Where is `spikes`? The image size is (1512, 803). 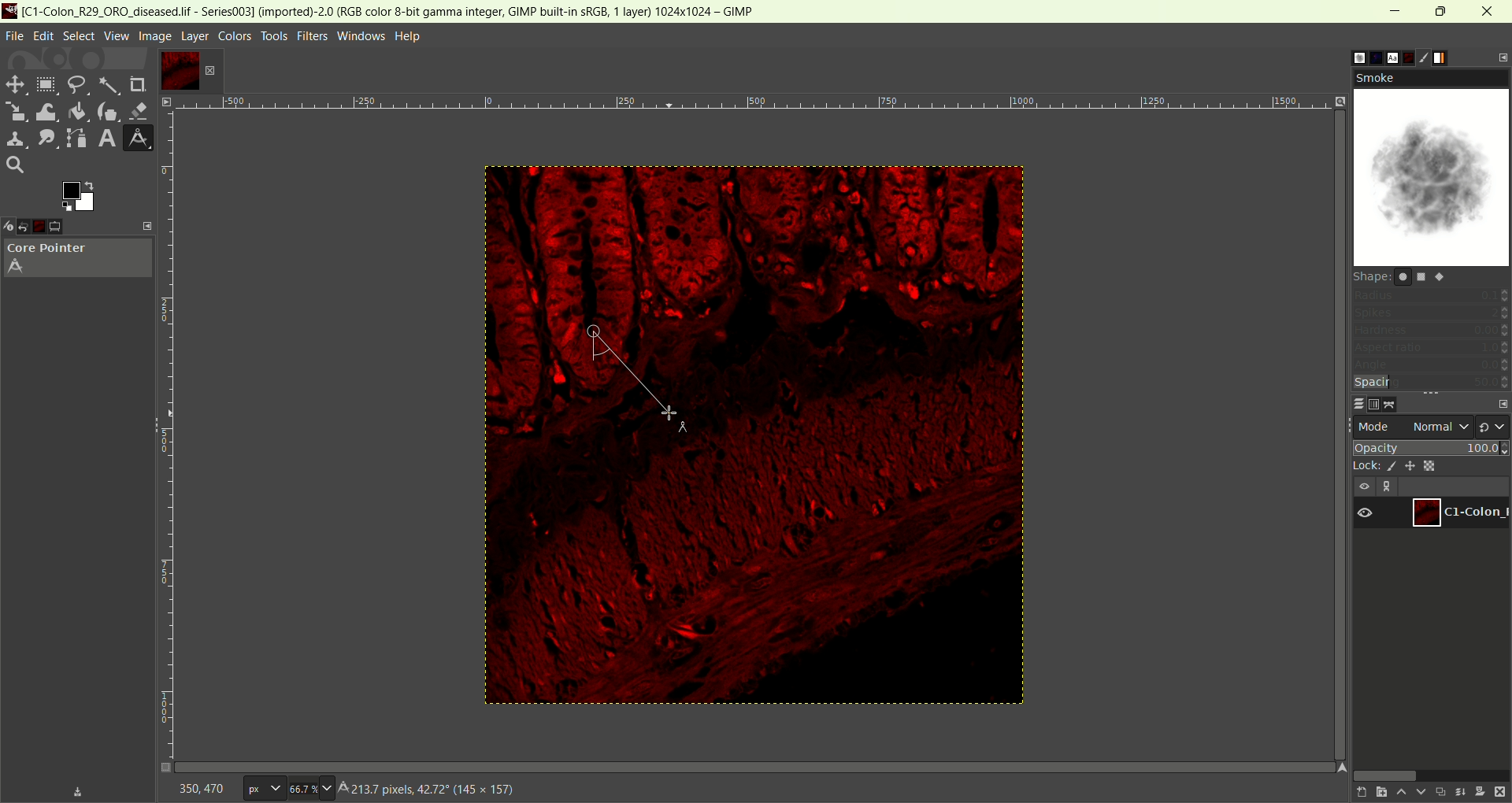
spikes is located at coordinates (1431, 315).